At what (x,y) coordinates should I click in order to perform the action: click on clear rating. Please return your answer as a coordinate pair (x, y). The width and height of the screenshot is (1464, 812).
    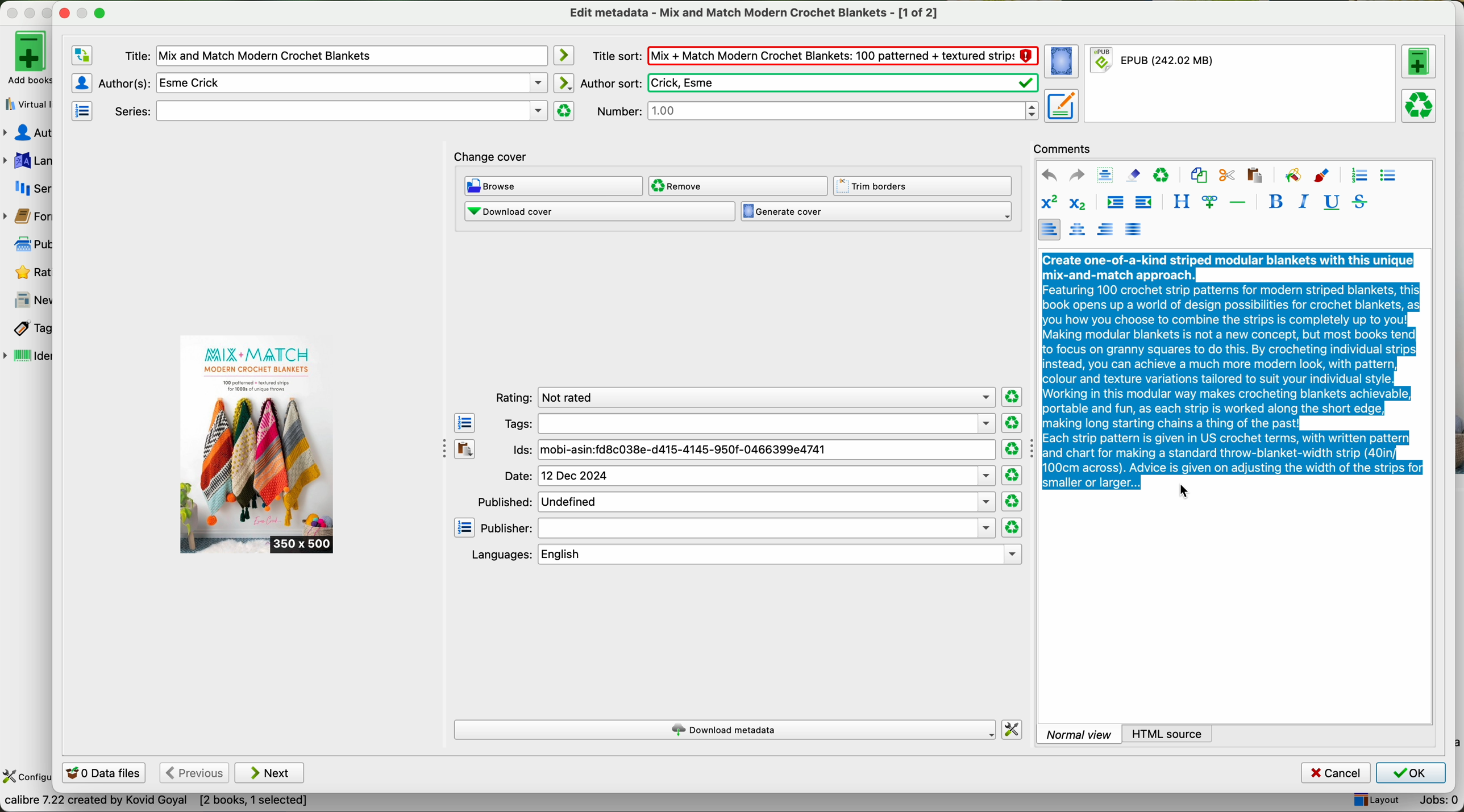
    Looking at the image, I should click on (1012, 476).